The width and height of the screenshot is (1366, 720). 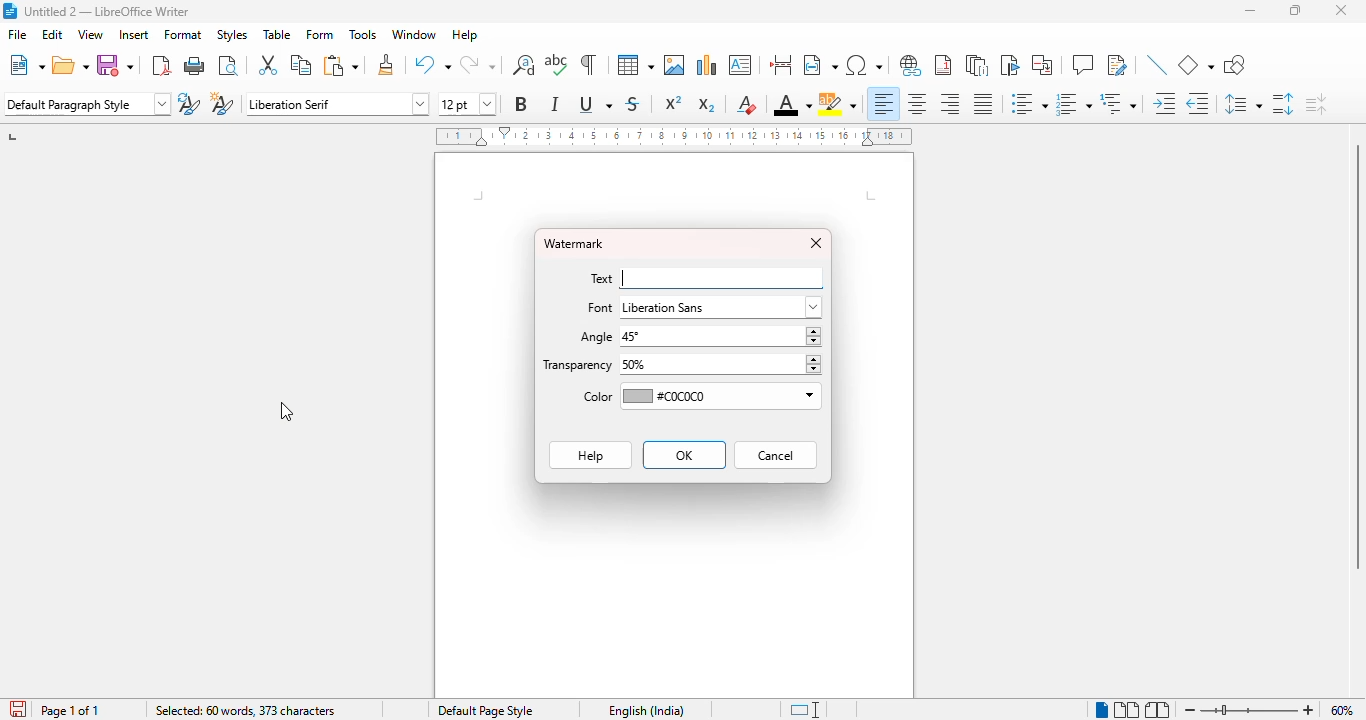 What do you see at coordinates (232, 34) in the screenshot?
I see `styles` at bounding box center [232, 34].